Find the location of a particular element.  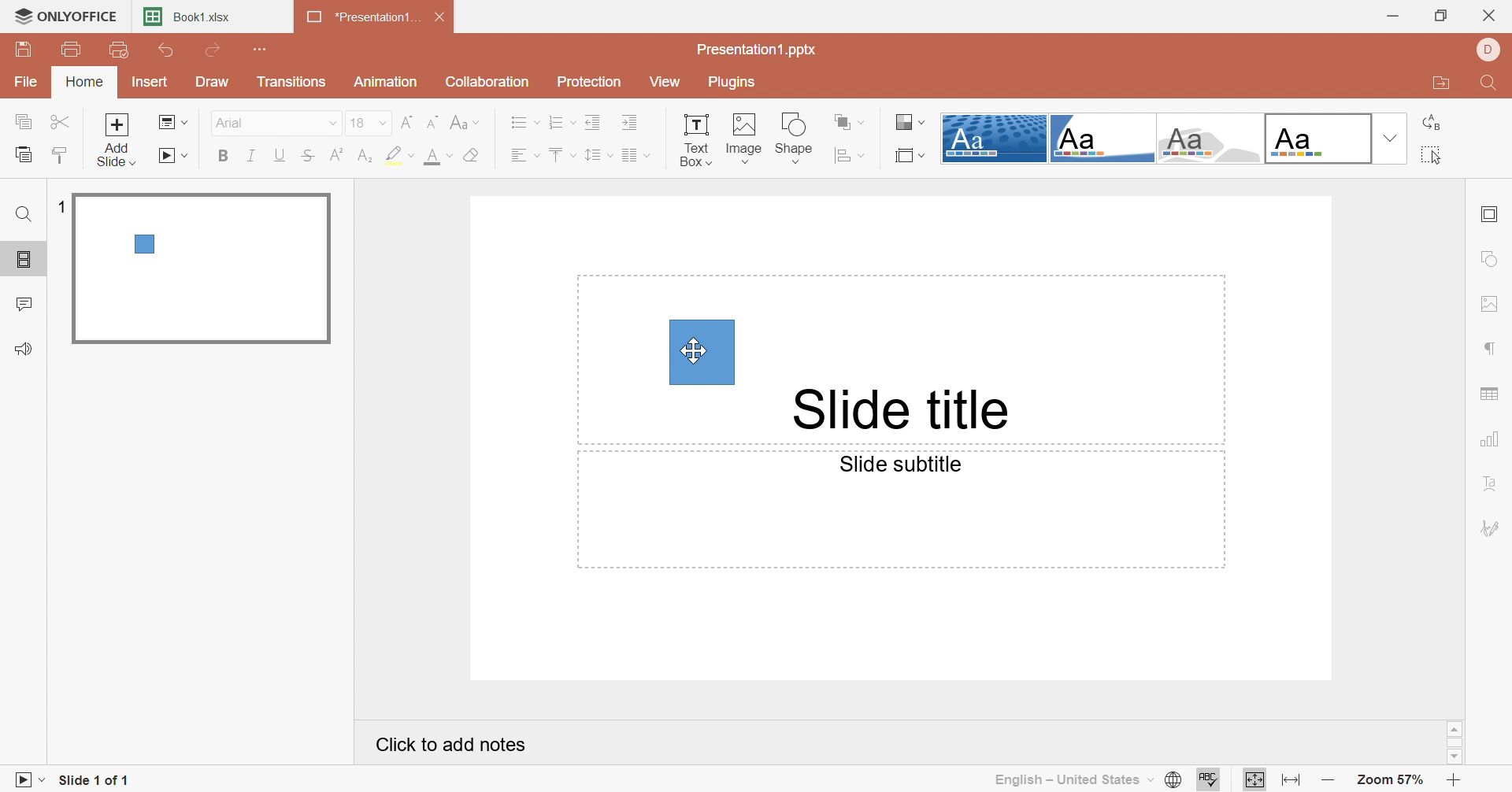

Arrange shapes is located at coordinates (847, 122).